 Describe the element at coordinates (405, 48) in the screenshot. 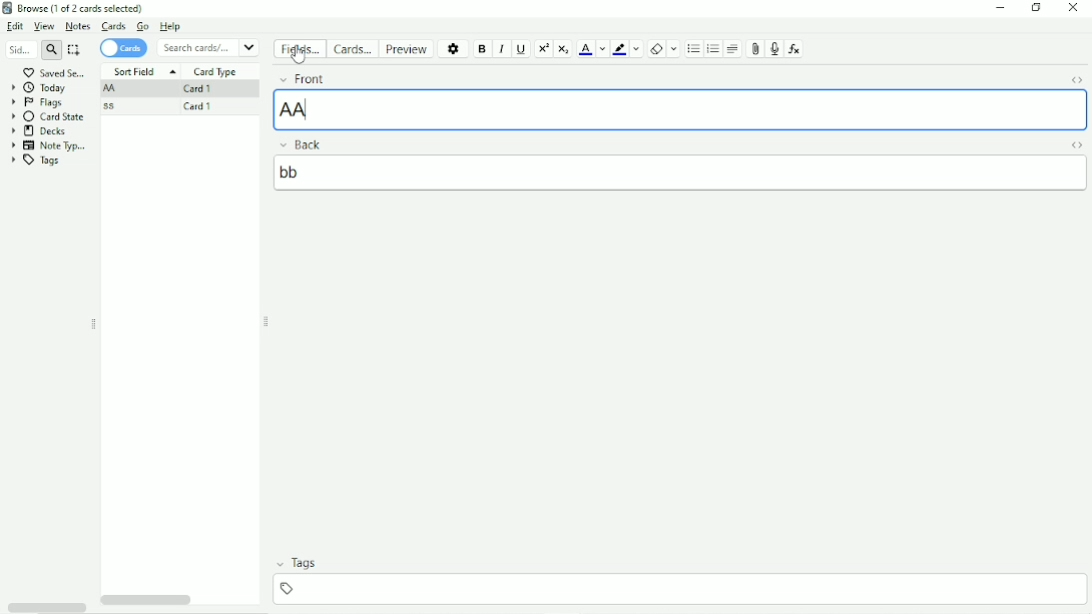

I see `Preview` at that location.